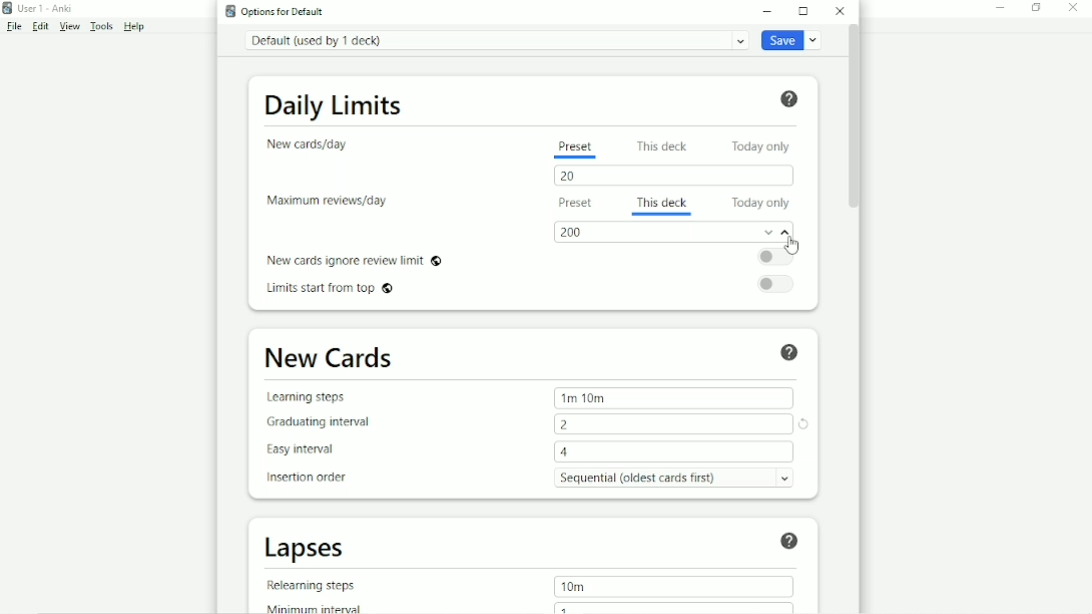  I want to click on User 1 - Anki, so click(45, 7).